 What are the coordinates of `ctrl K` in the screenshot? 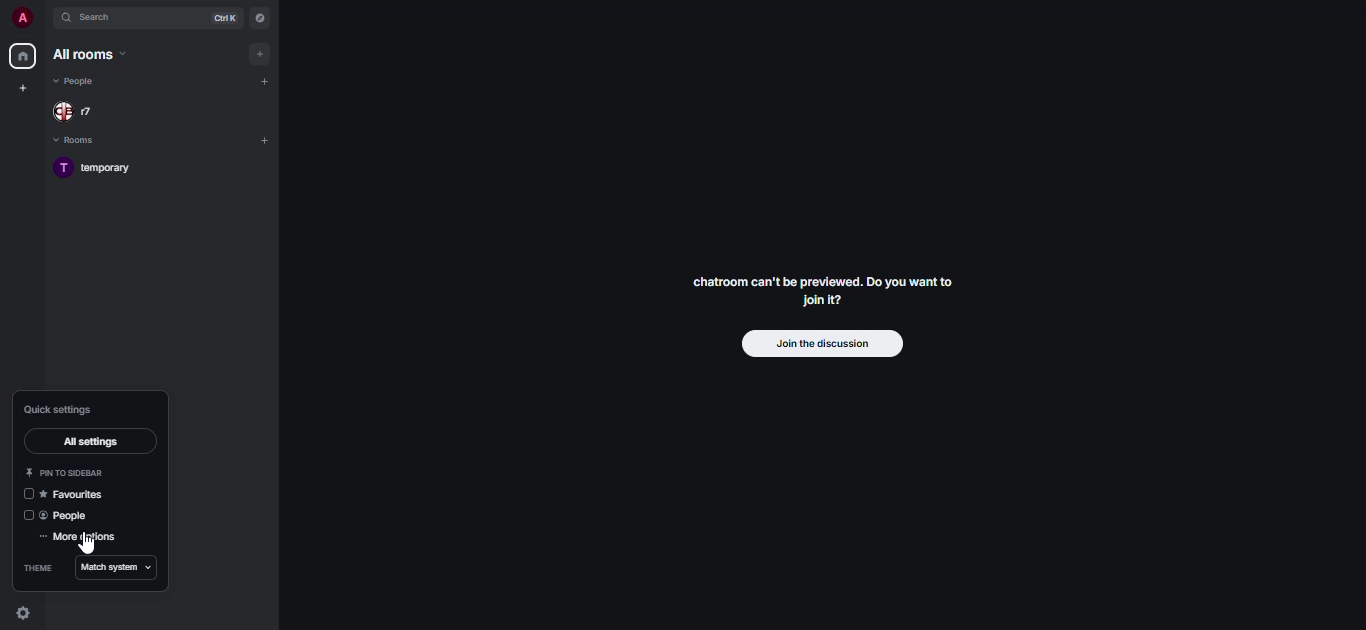 It's located at (221, 17).